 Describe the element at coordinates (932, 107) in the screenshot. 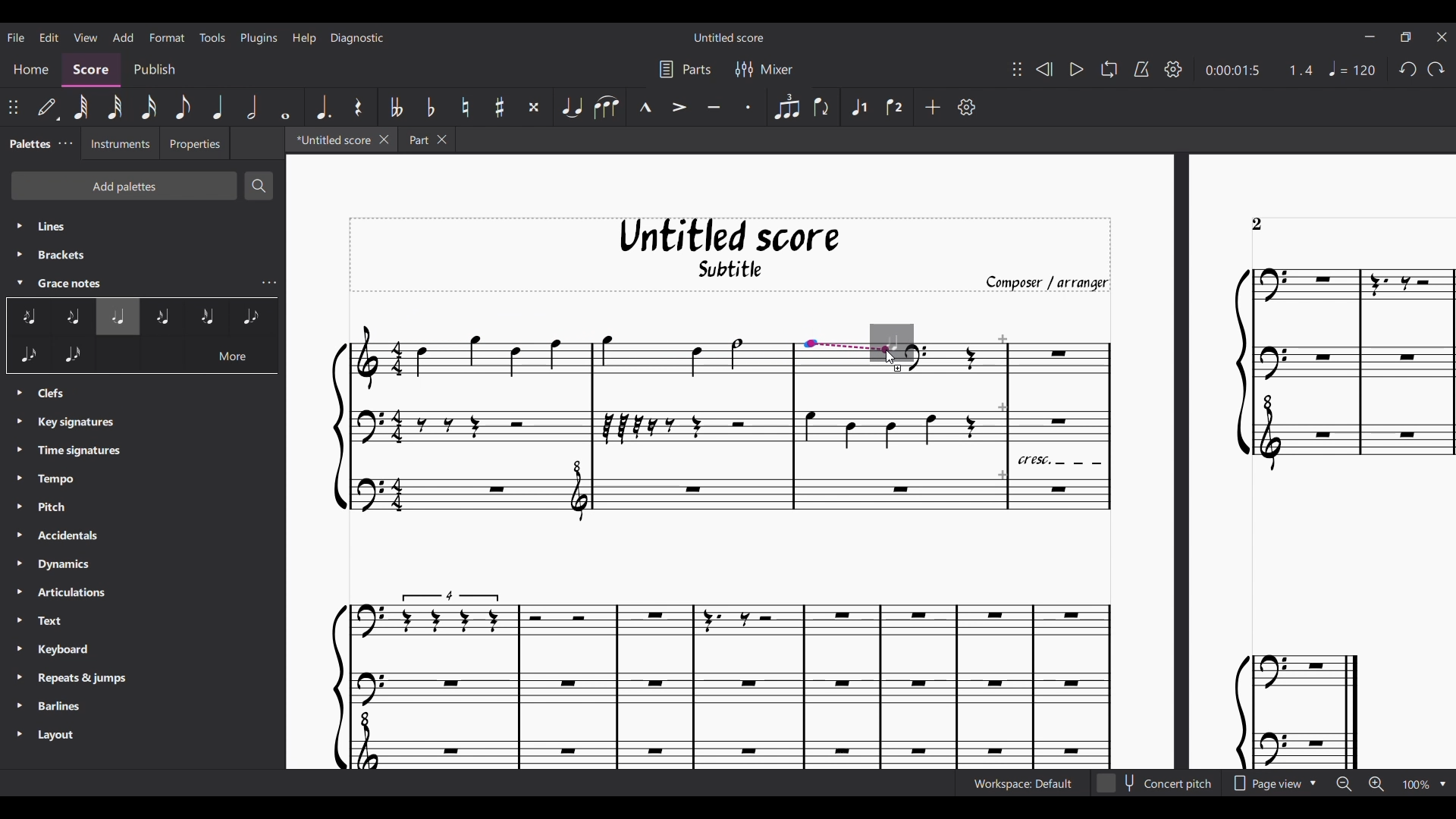

I see `Add` at that location.